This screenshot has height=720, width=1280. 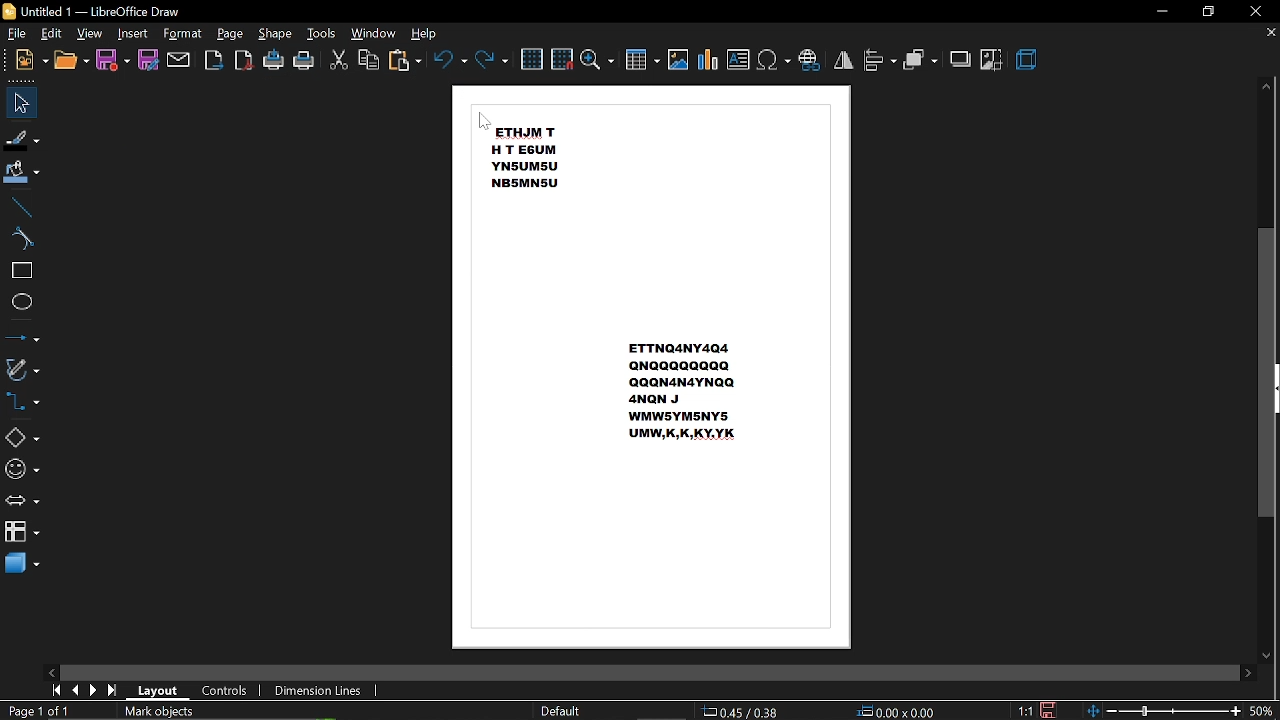 I want to click on zoom, so click(x=598, y=61).